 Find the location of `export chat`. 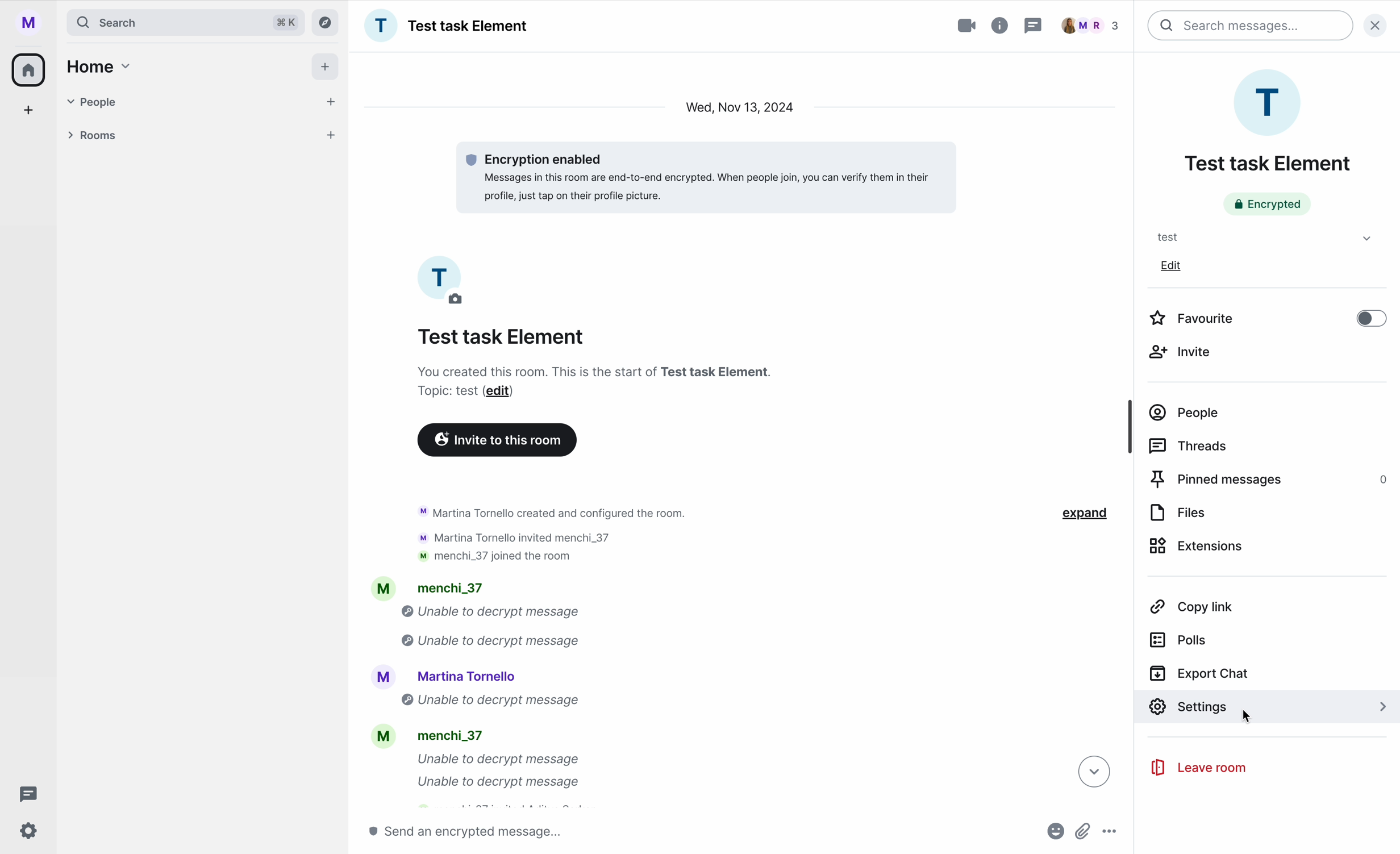

export chat is located at coordinates (1201, 674).